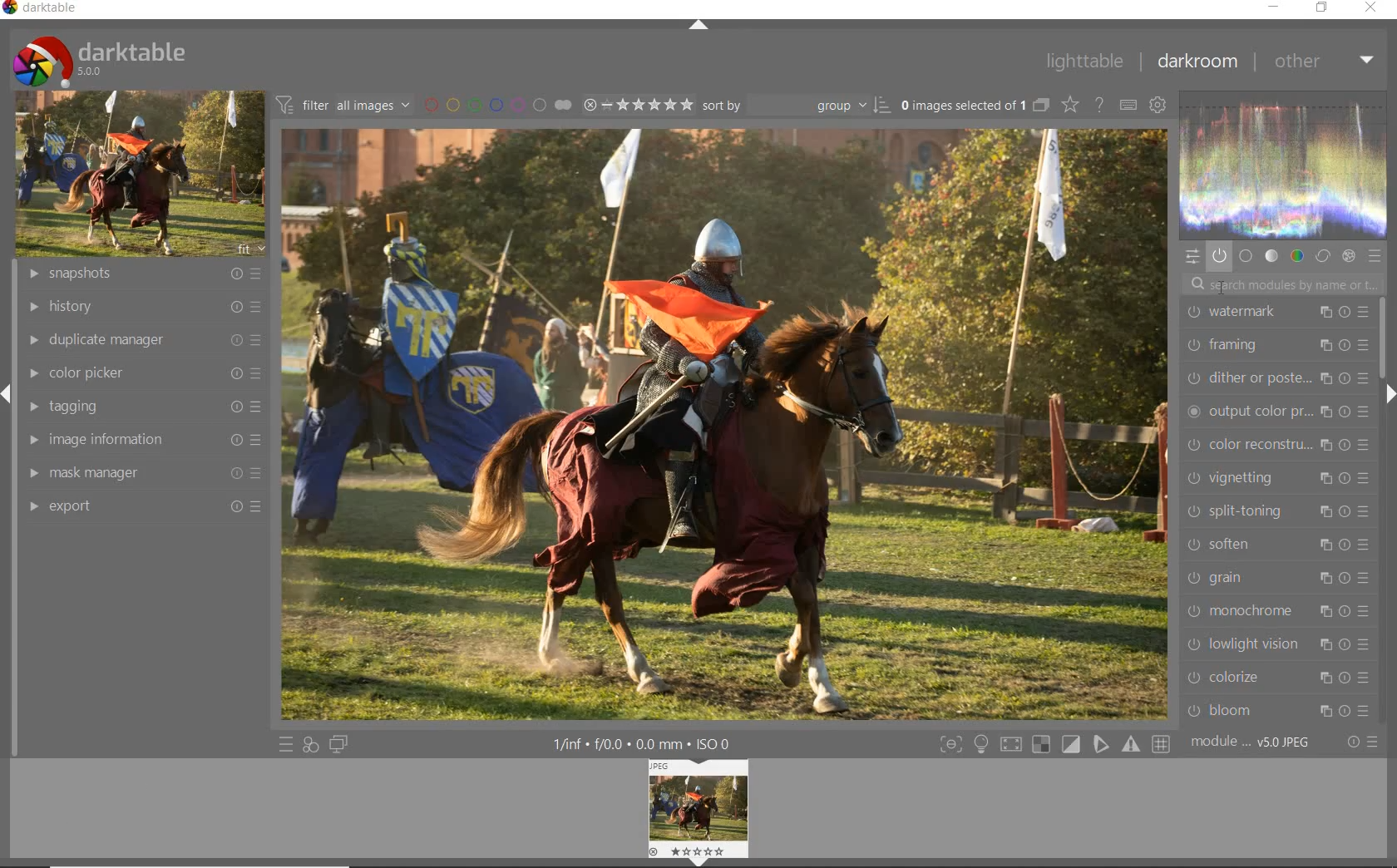 Image resolution: width=1397 pixels, height=868 pixels. What do you see at coordinates (1255, 742) in the screenshot?
I see `module... v5.0 JPEG` at bounding box center [1255, 742].